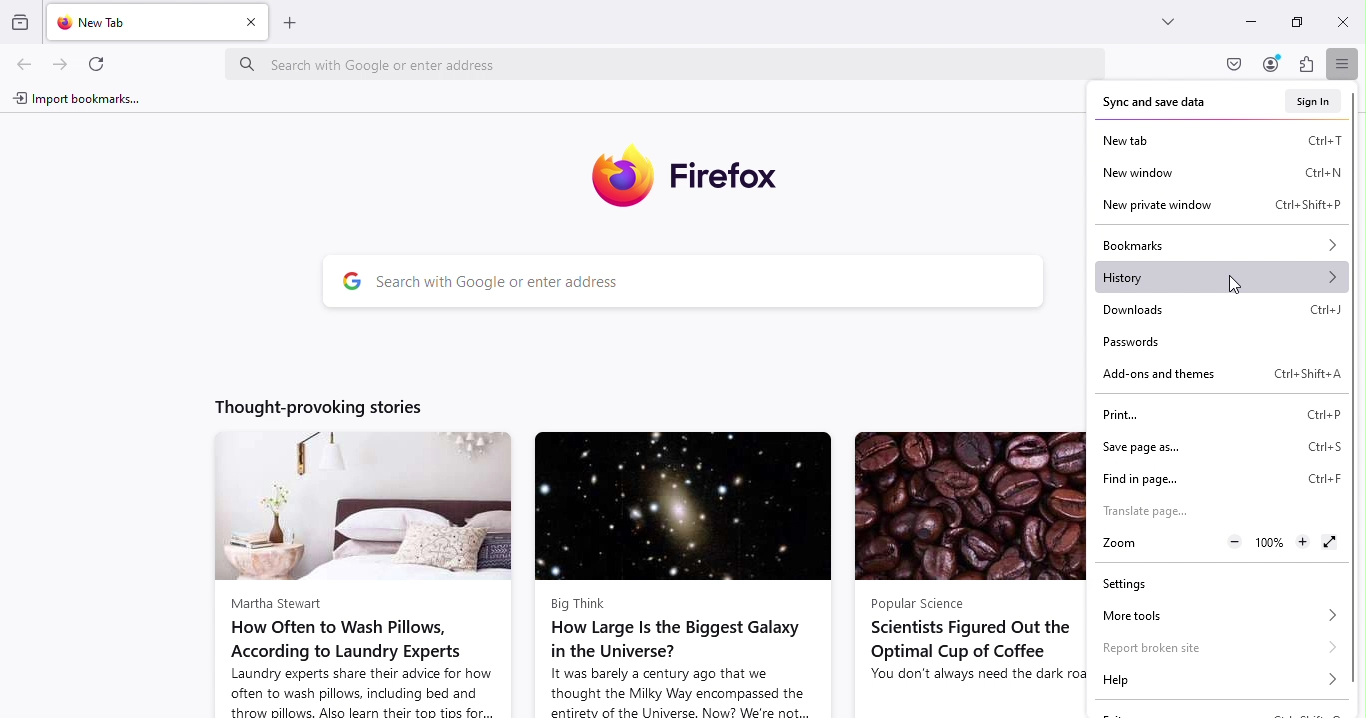 The image size is (1366, 718). Describe the element at coordinates (336, 403) in the screenshot. I see `Thought-provoking stories` at that location.